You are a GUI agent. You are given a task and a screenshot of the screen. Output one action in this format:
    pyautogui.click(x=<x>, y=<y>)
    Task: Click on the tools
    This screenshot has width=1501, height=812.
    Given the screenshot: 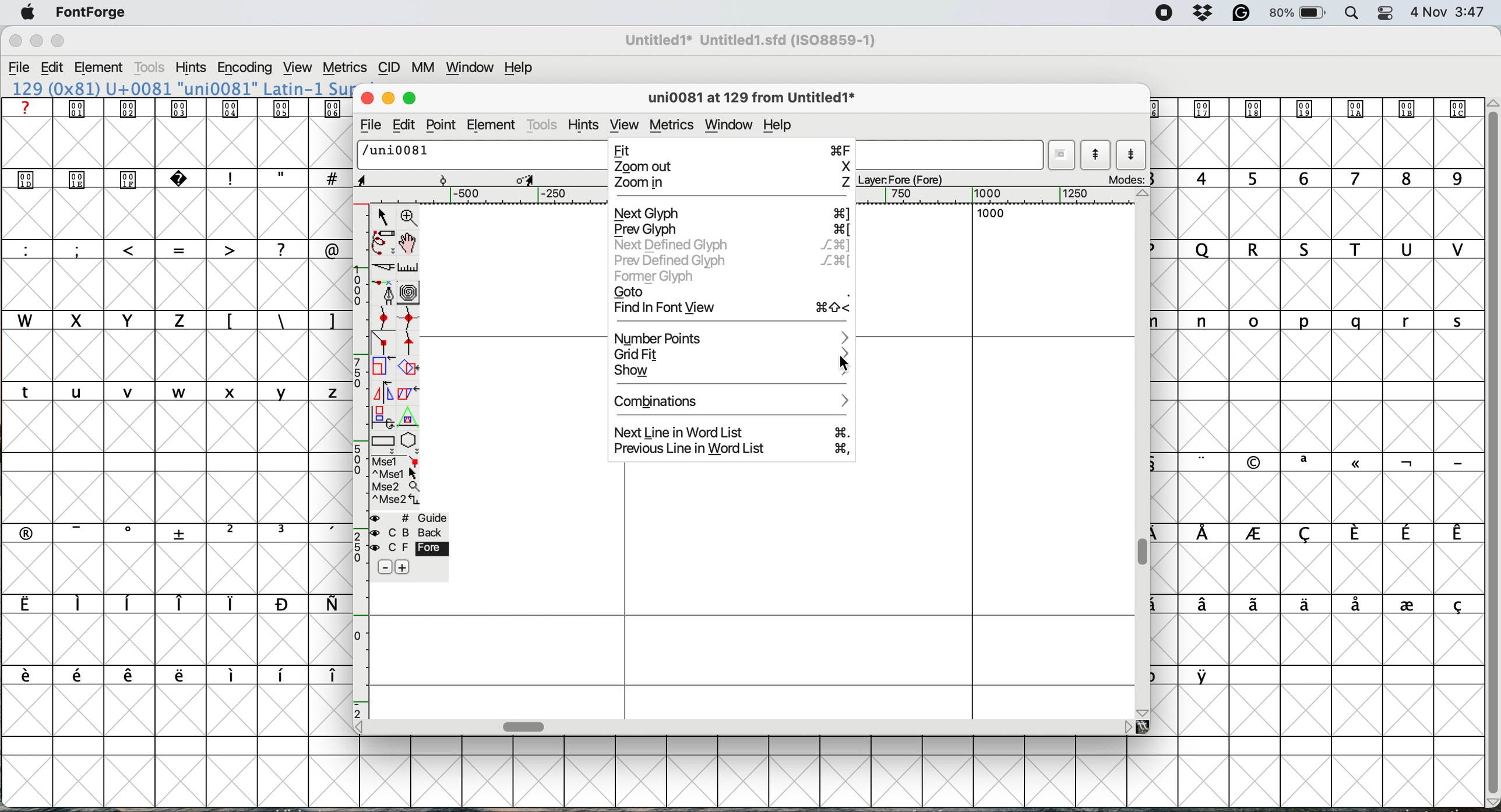 What is the action you would take?
    pyautogui.click(x=544, y=125)
    